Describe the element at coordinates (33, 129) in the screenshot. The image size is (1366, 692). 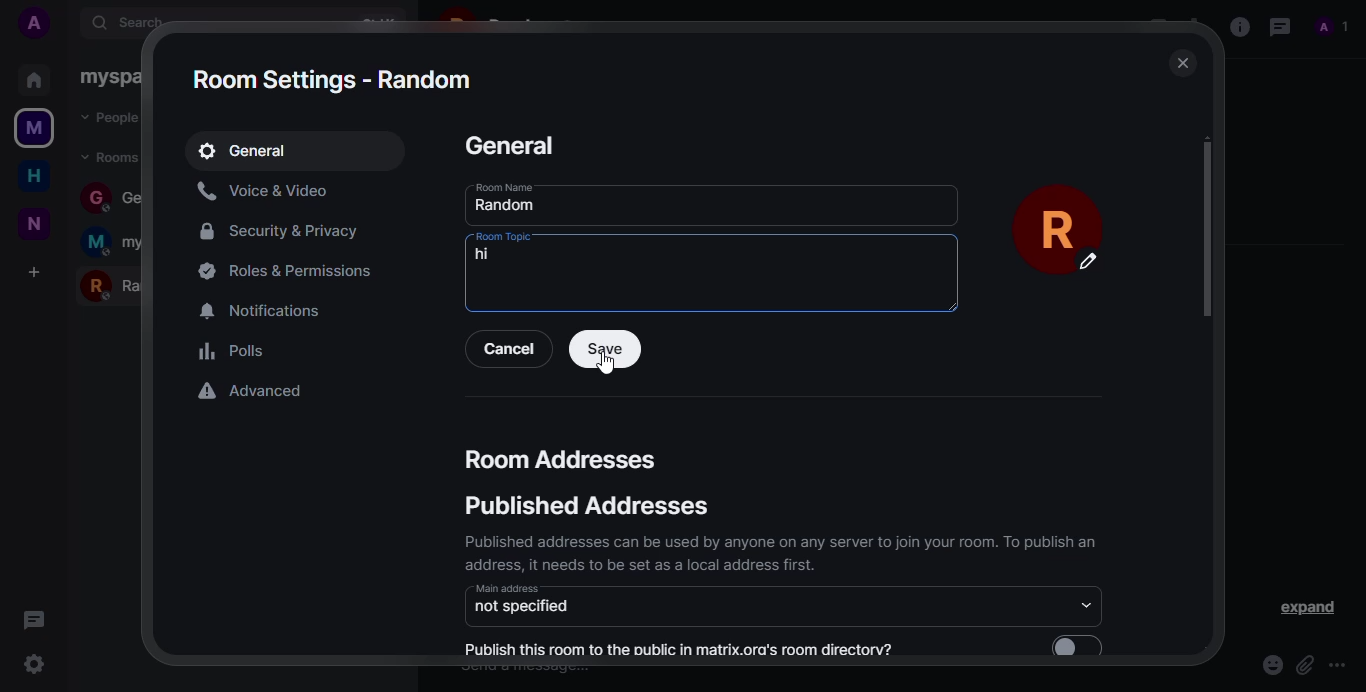
I see `myspace` at that location.